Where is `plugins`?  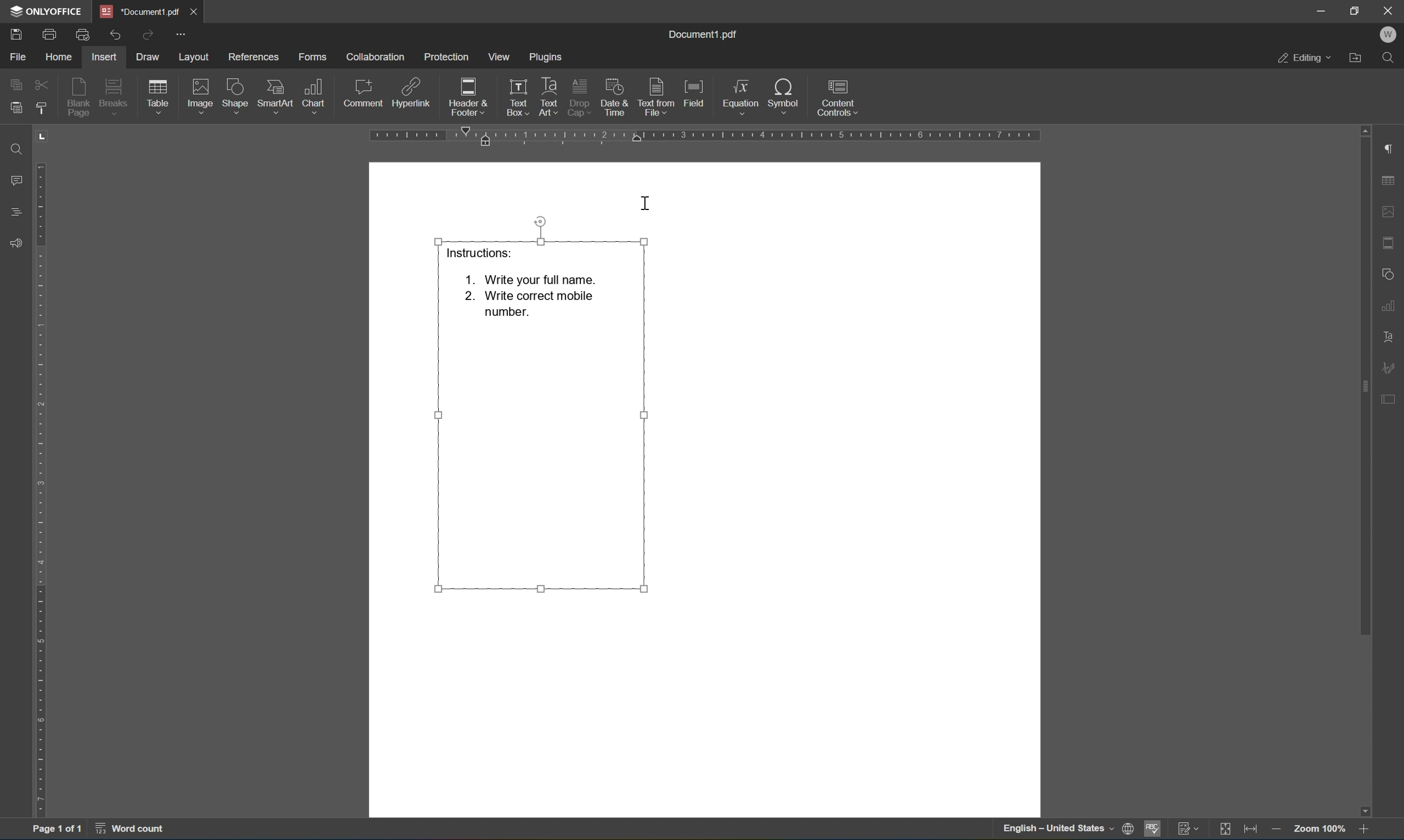 plugins is located at coordinates (547, 58).